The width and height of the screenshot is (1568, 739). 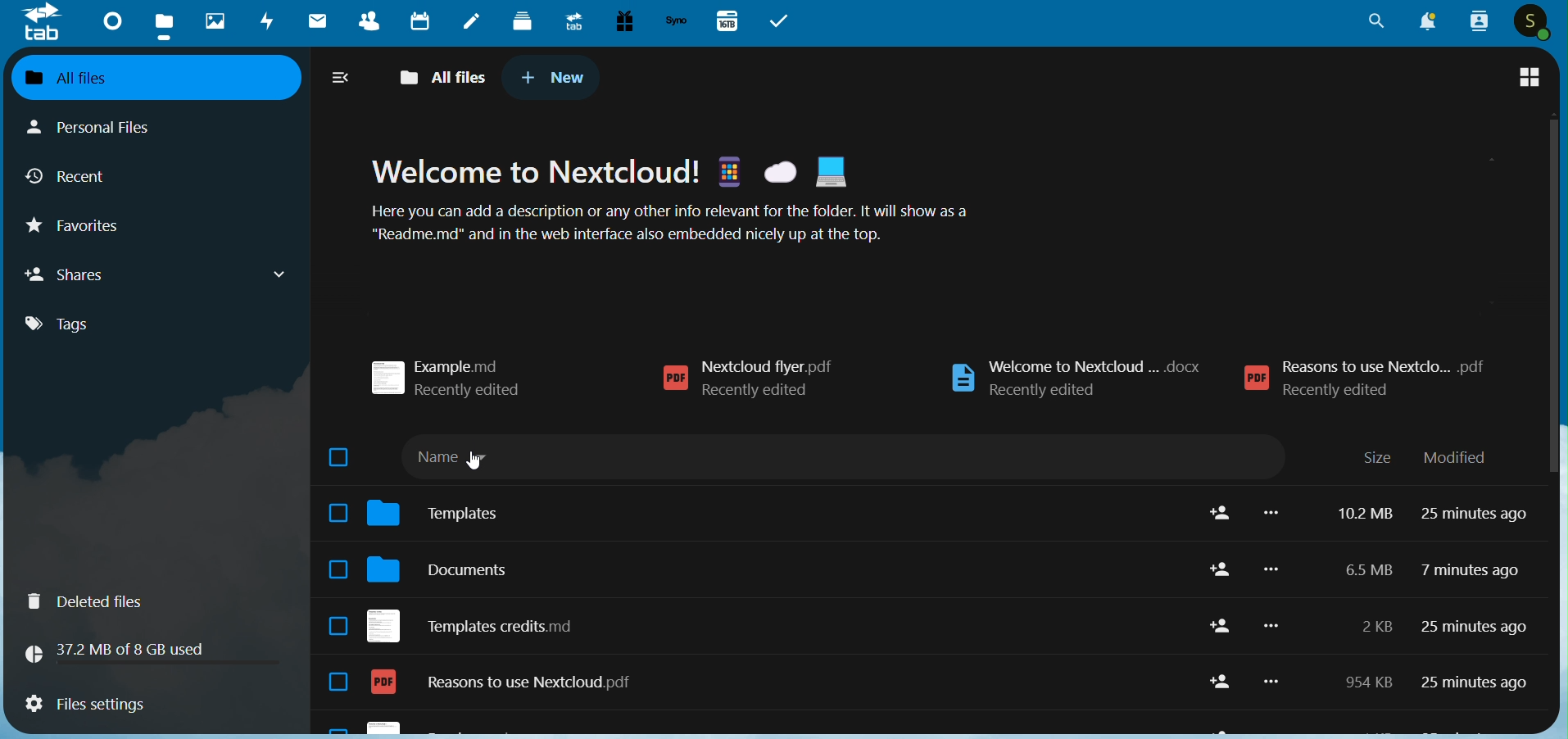 I want to click on 25 minutes ago 7 minutes ago 25 minutes ago 25 minutes ago, so click(x=1475, y=606).